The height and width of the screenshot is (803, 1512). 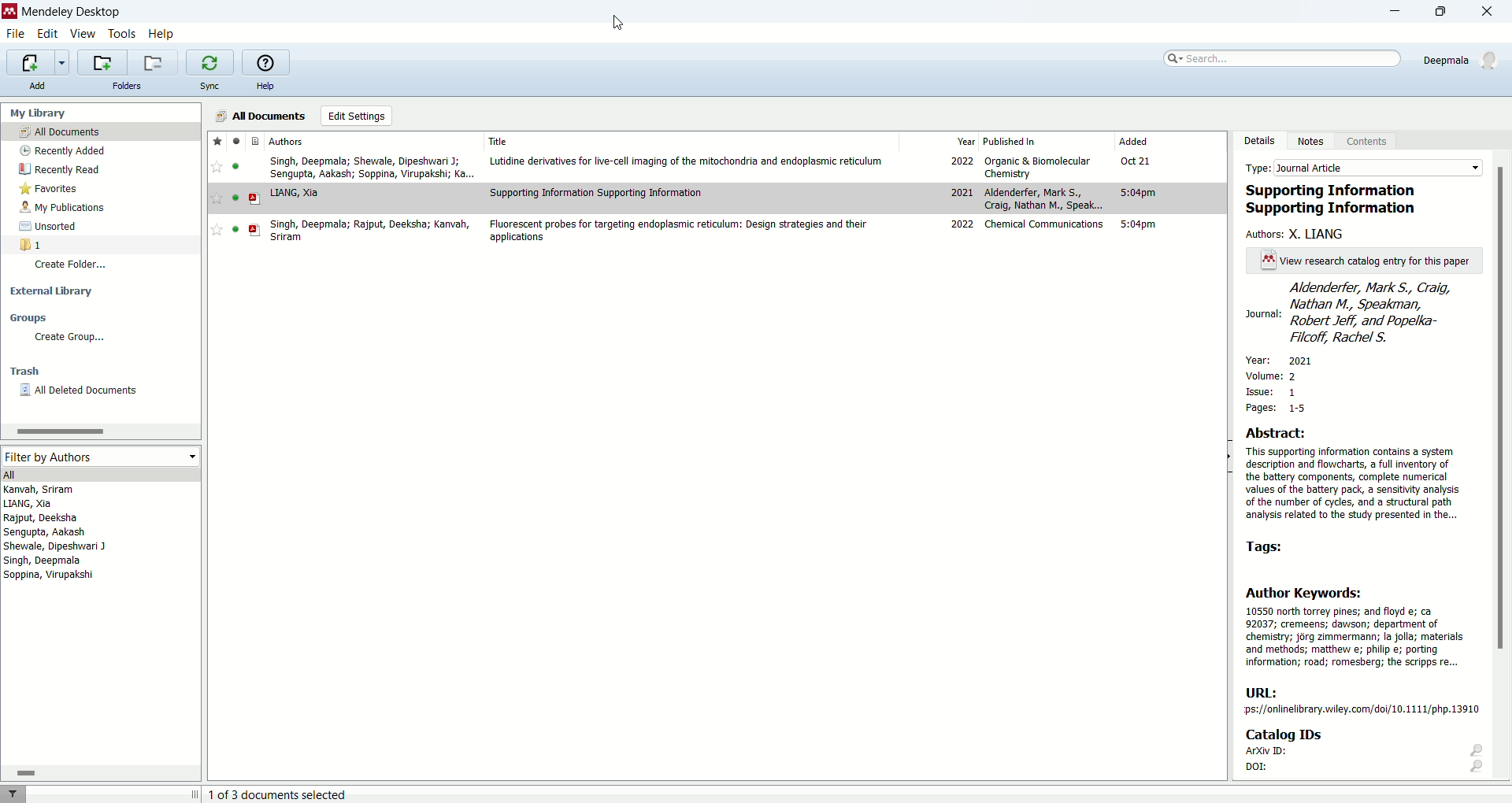 What do you see at coordinates (213, 86) in the screenshot?
I see `sync` at bounding box center [213, 86].